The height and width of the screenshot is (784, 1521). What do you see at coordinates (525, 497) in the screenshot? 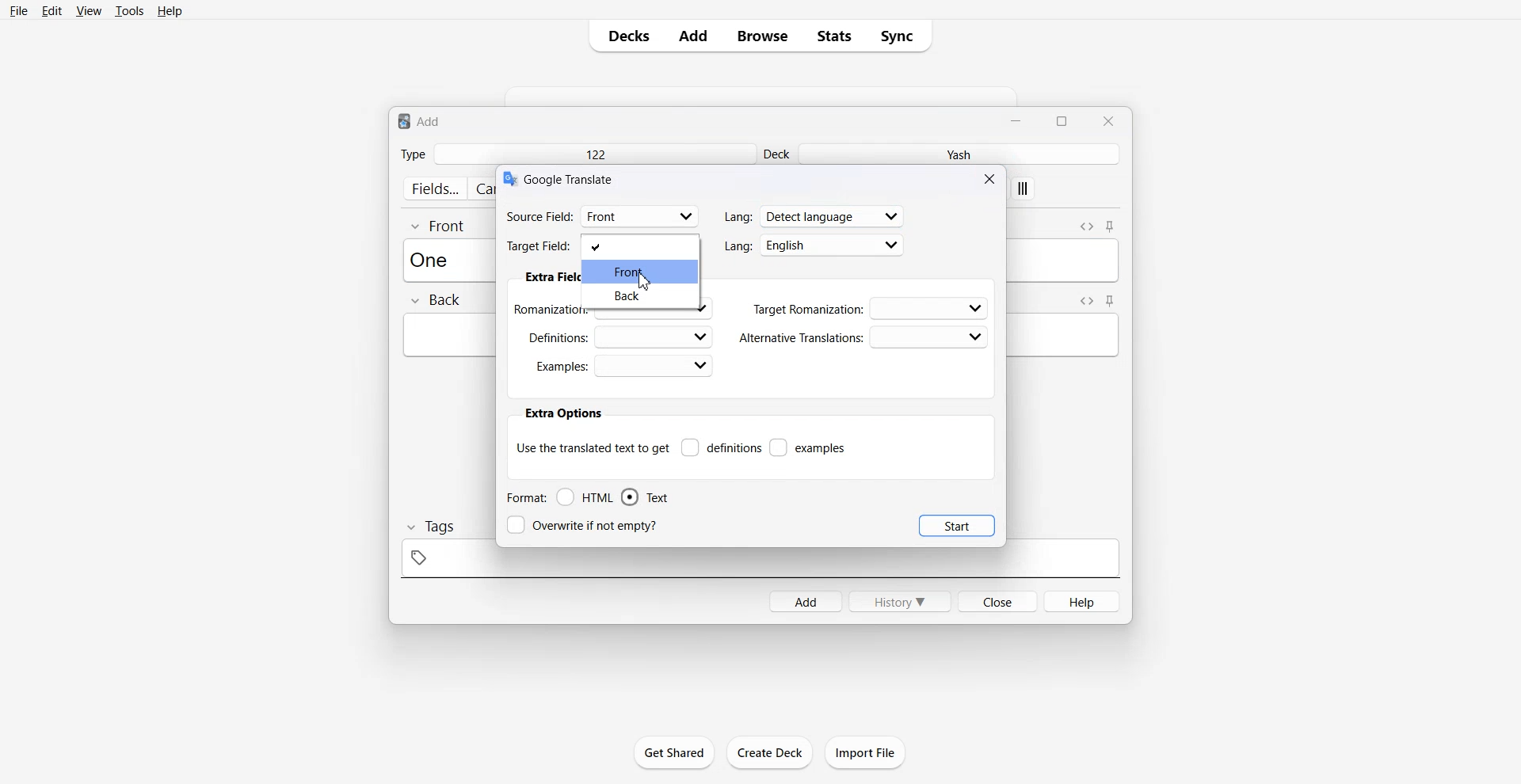
I see `Format` at bounding box center [525, 497].